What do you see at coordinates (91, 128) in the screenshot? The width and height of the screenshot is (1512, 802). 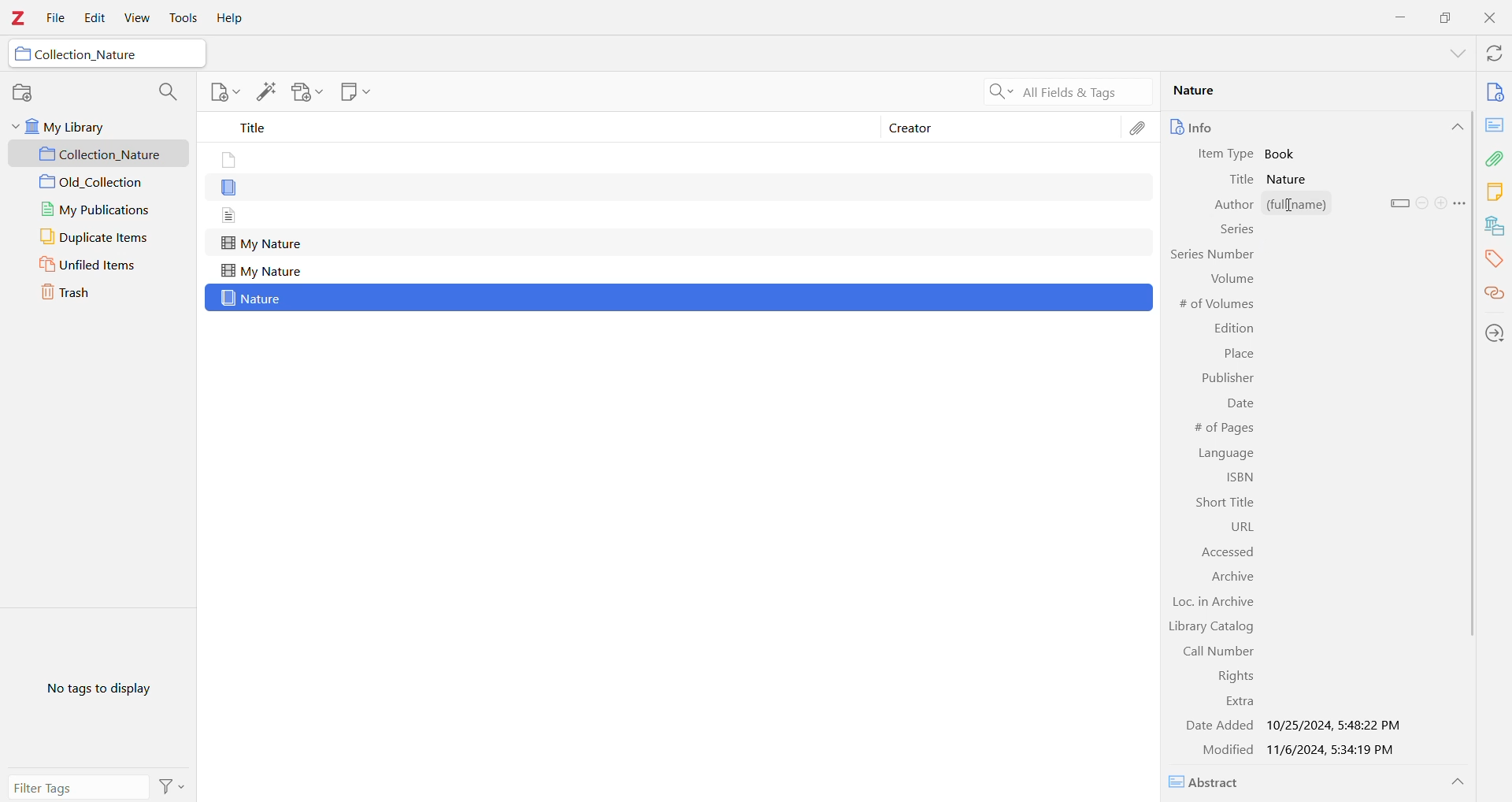 I see `My Library` at bounding box center [91, 128].